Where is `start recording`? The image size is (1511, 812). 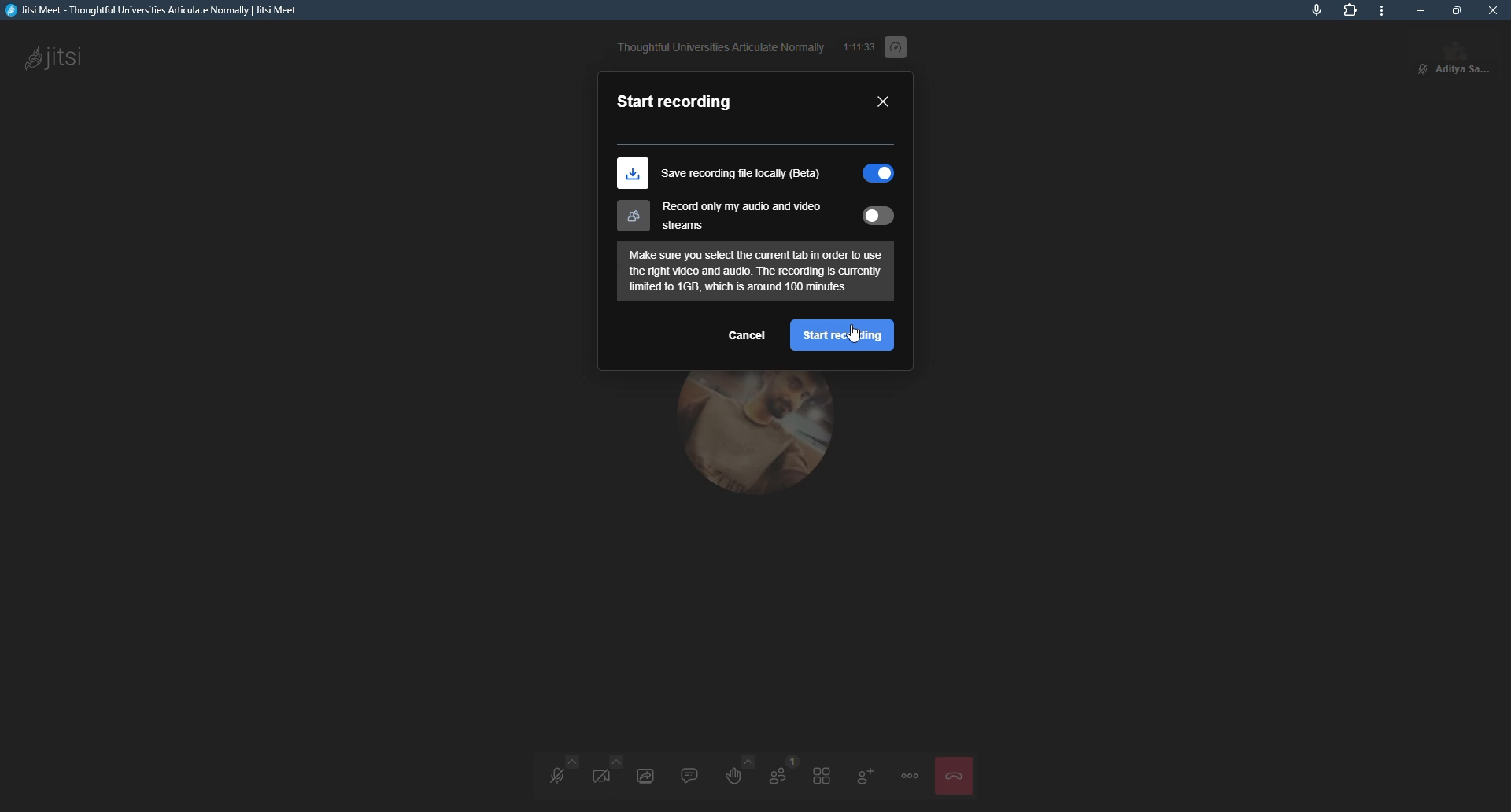
start recording is located at coordinates (676, 100).